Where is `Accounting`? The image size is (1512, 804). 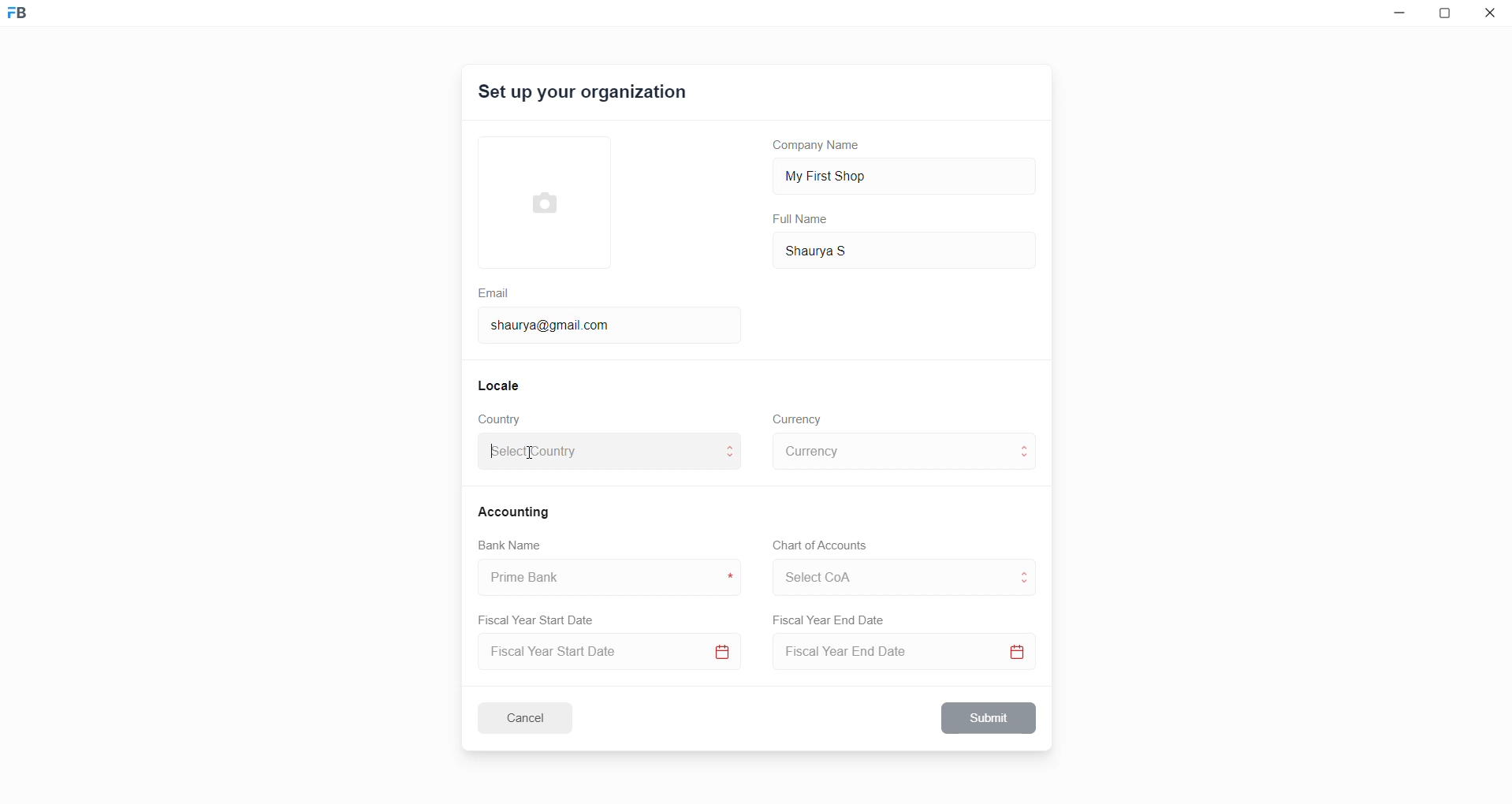
Accounting is located at coordinates (516, 511).